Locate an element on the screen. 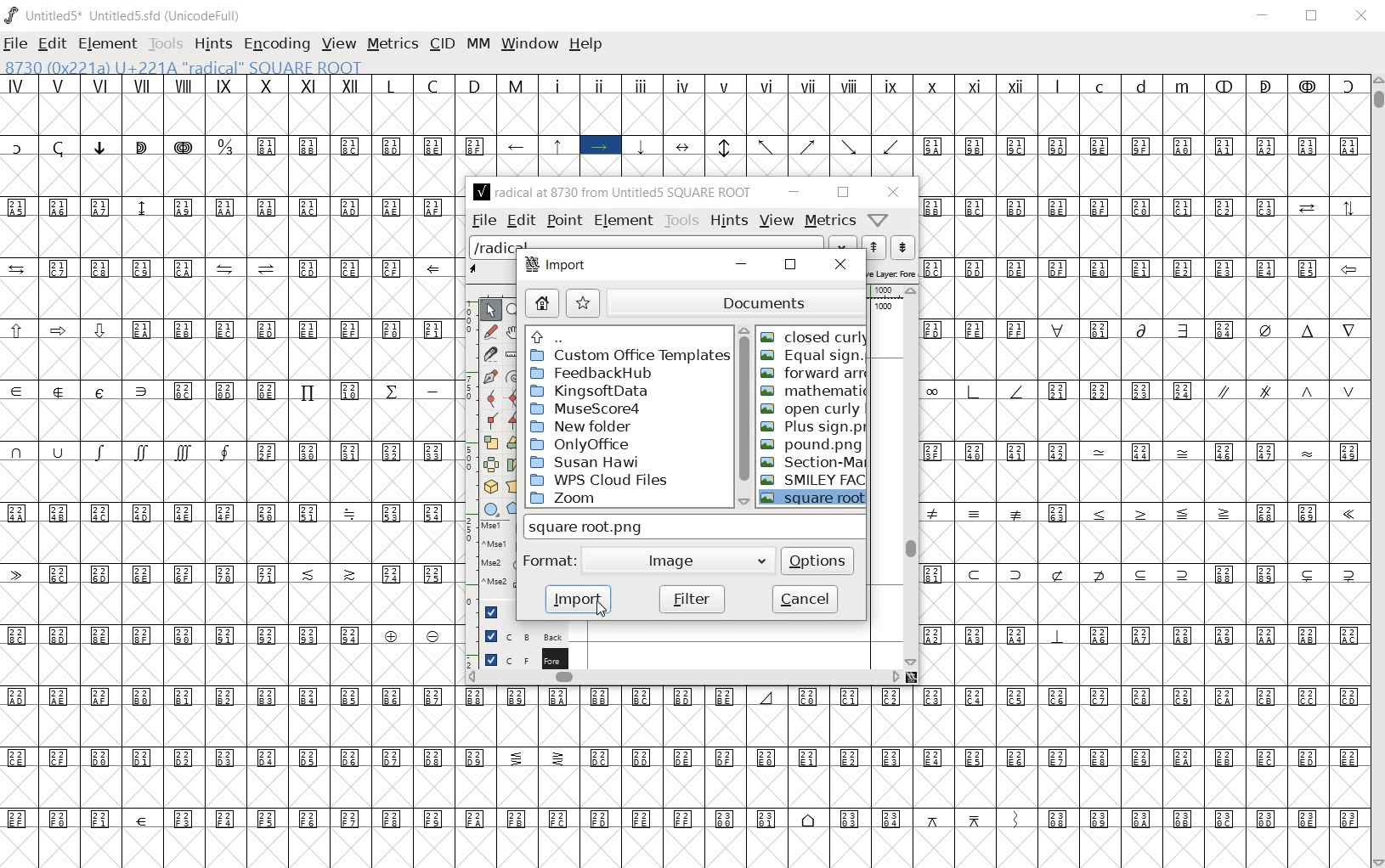  Add a corner point is located at coordinates (491, 419).